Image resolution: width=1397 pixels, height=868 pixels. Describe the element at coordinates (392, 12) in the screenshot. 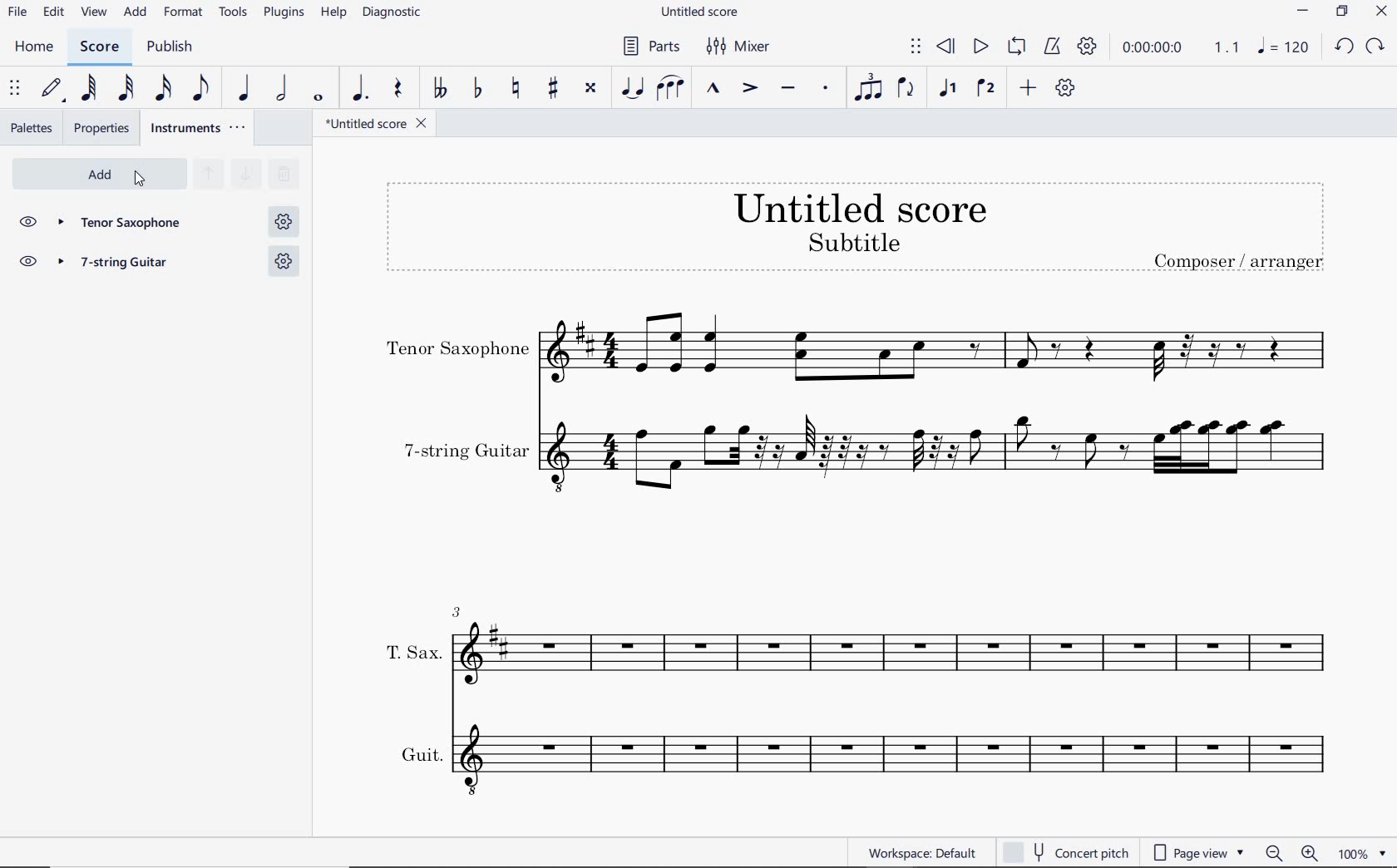

I see `DIAGNOSTIC` at that location.